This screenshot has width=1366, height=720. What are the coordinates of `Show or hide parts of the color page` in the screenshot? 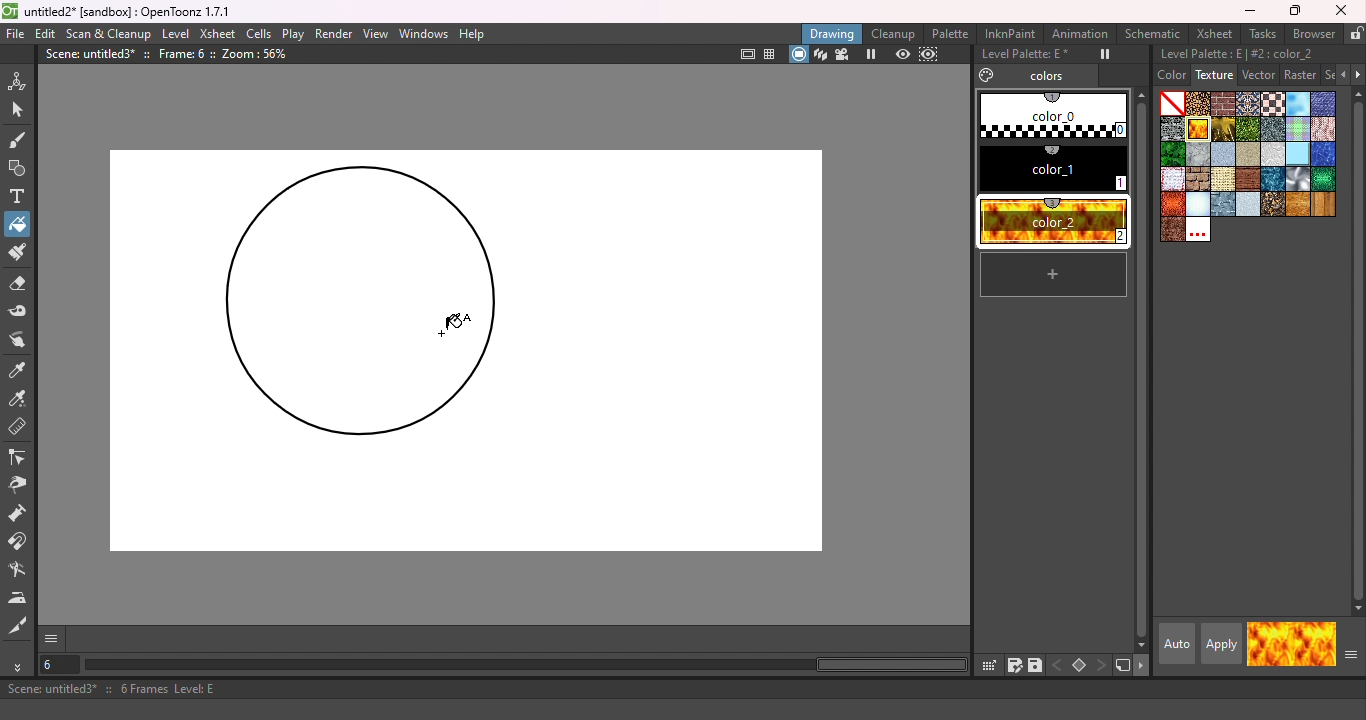 It's located at (1349, 658).